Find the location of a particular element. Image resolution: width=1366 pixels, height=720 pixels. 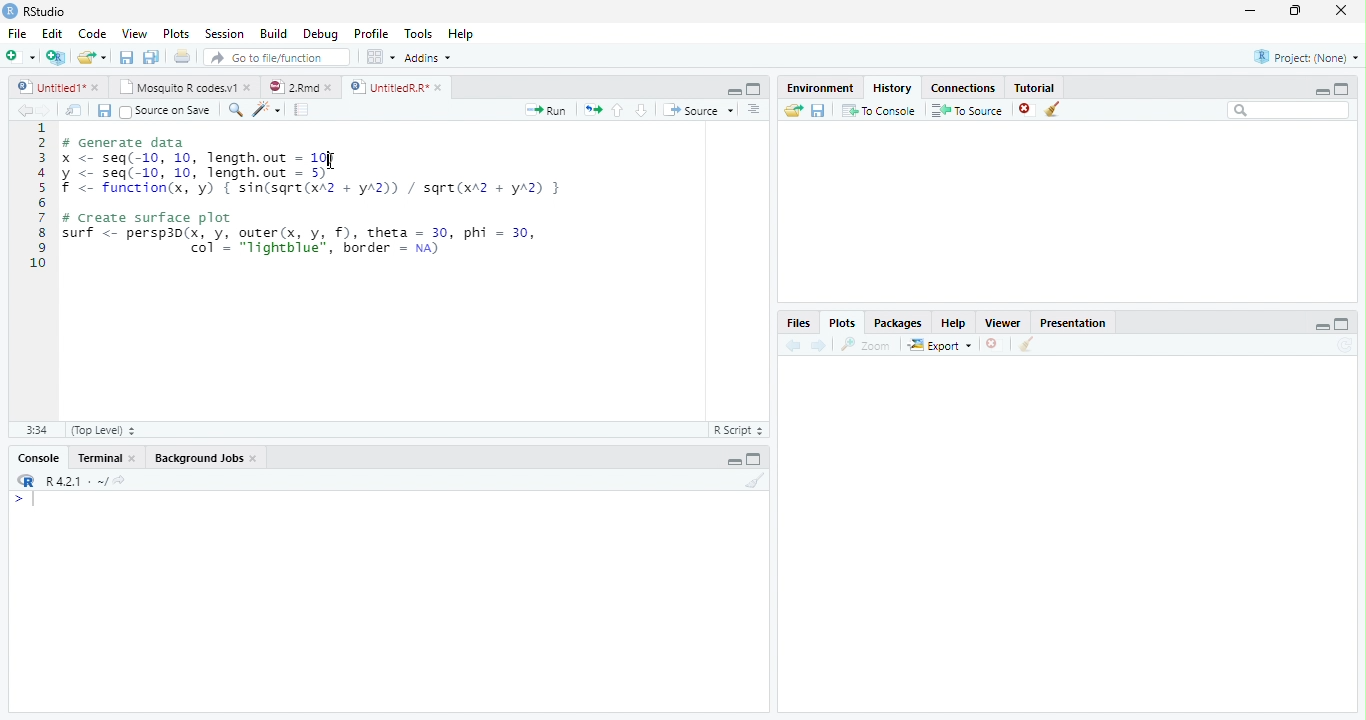

Build is located at coordinates (273, 33).